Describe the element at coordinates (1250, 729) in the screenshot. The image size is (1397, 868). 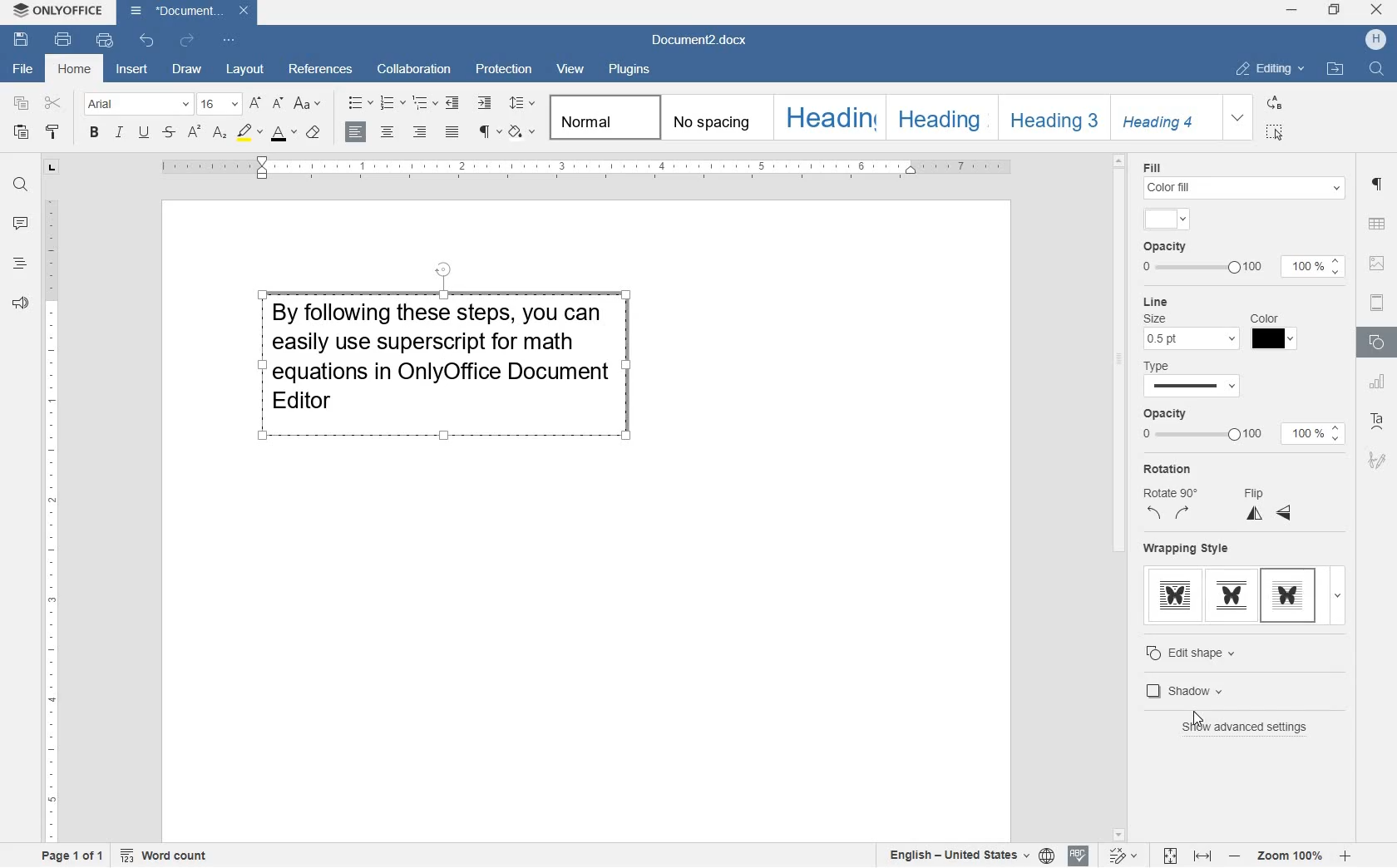
I see `show advanced settings` at that location.